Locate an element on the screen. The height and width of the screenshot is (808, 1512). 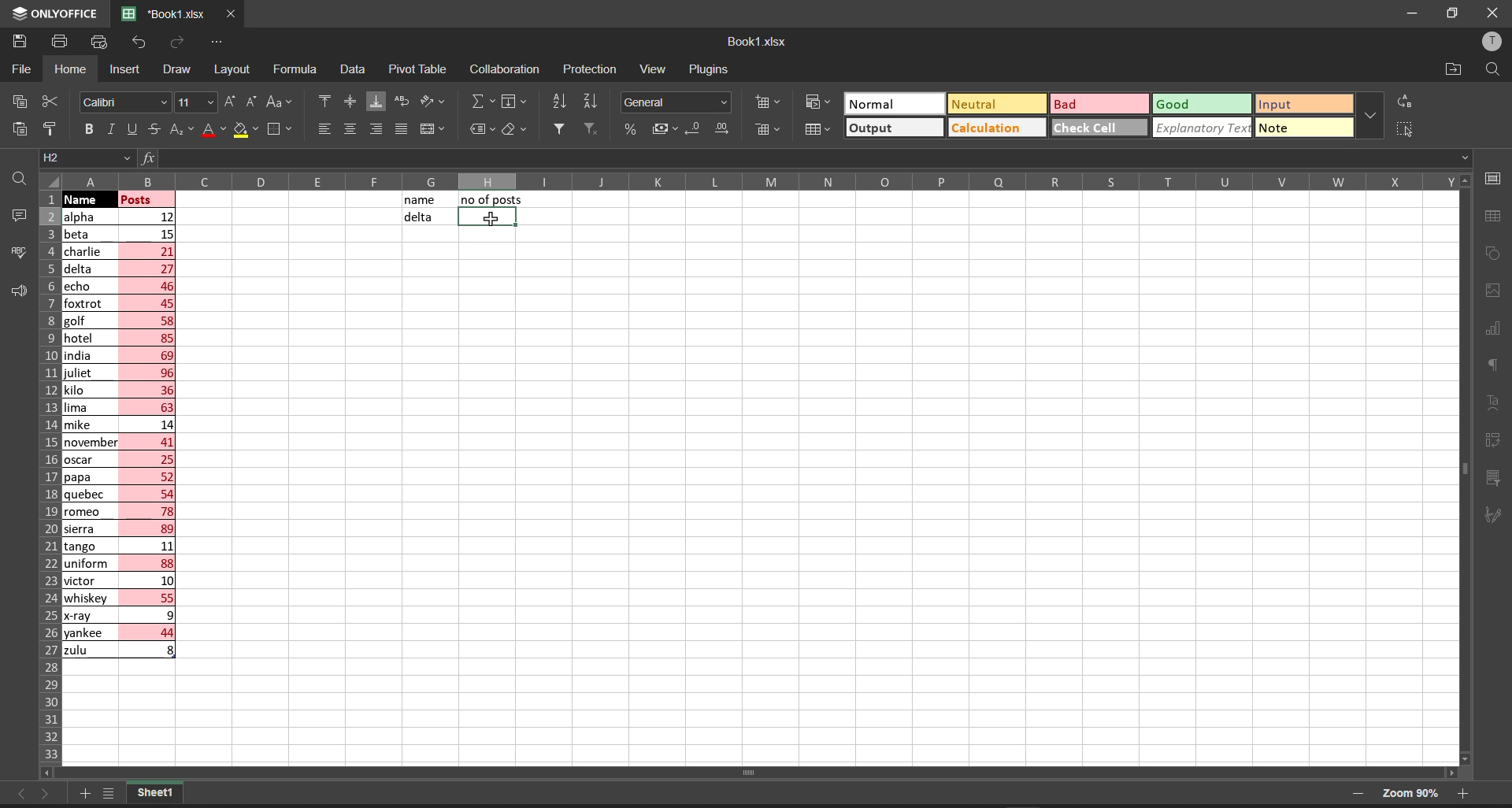
delta is located at coordinates (417, 218).